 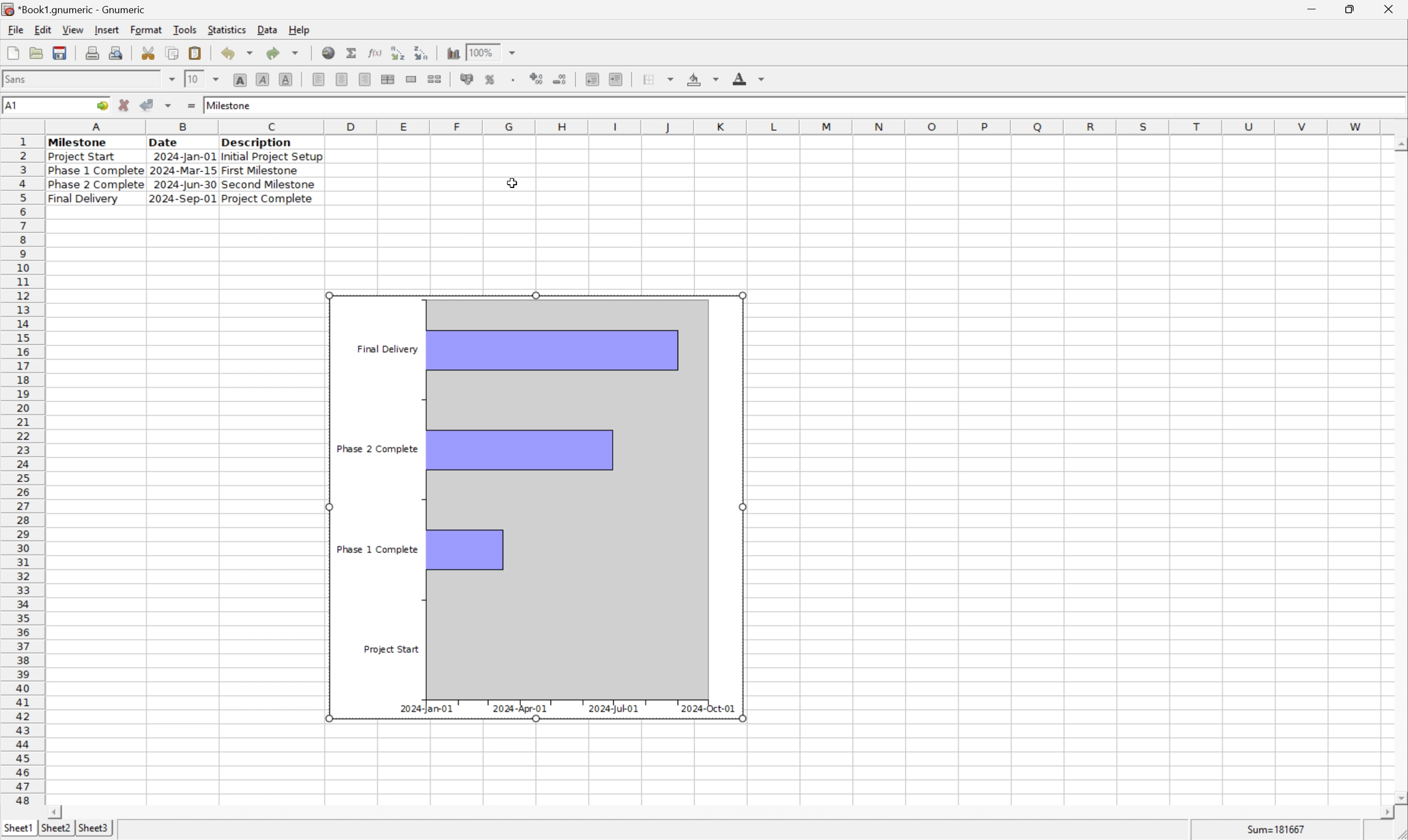 What do you see at coordinates (422, 52) in the screenshot?
I see `Sort the selected region in descending order based on the first column selected` at bounding box center [422, 52].